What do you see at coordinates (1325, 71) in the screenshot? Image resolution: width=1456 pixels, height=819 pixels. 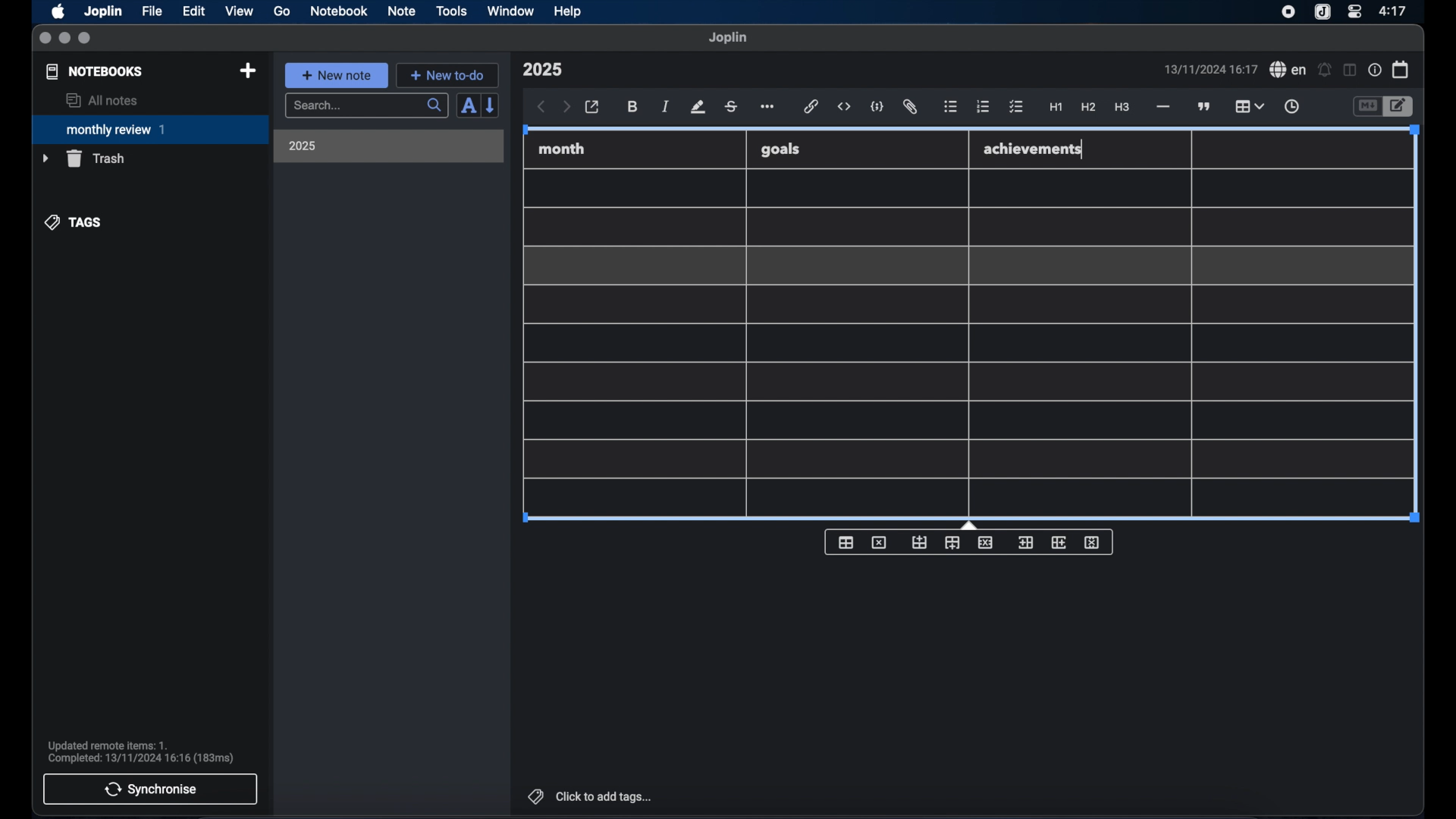 I see `set alarm` at bounding box center [1325, 71].